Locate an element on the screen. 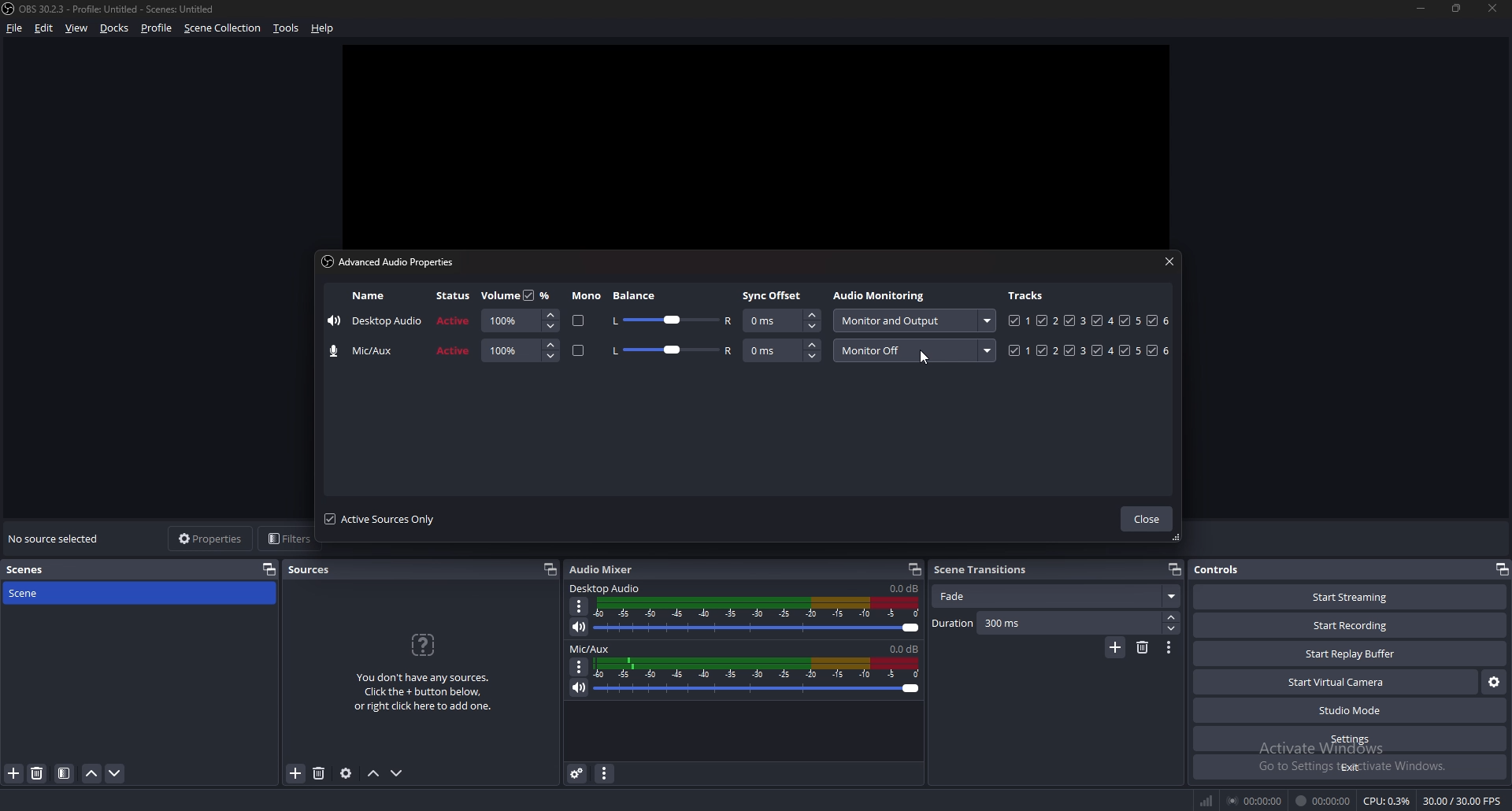  balance is located at coordinates (639, 295).